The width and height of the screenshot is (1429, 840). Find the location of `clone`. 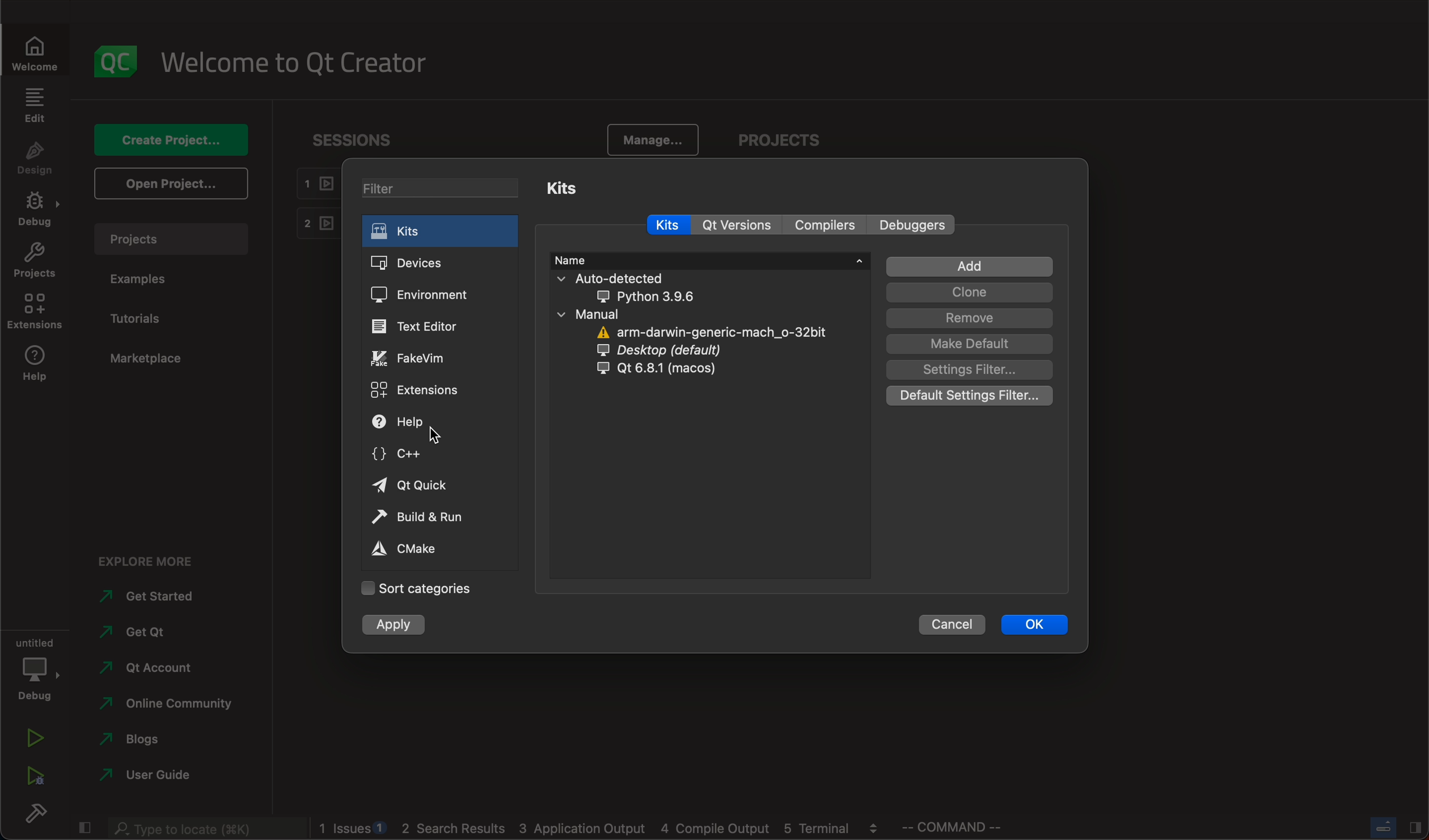

clone is located at coordinates (971, 292).